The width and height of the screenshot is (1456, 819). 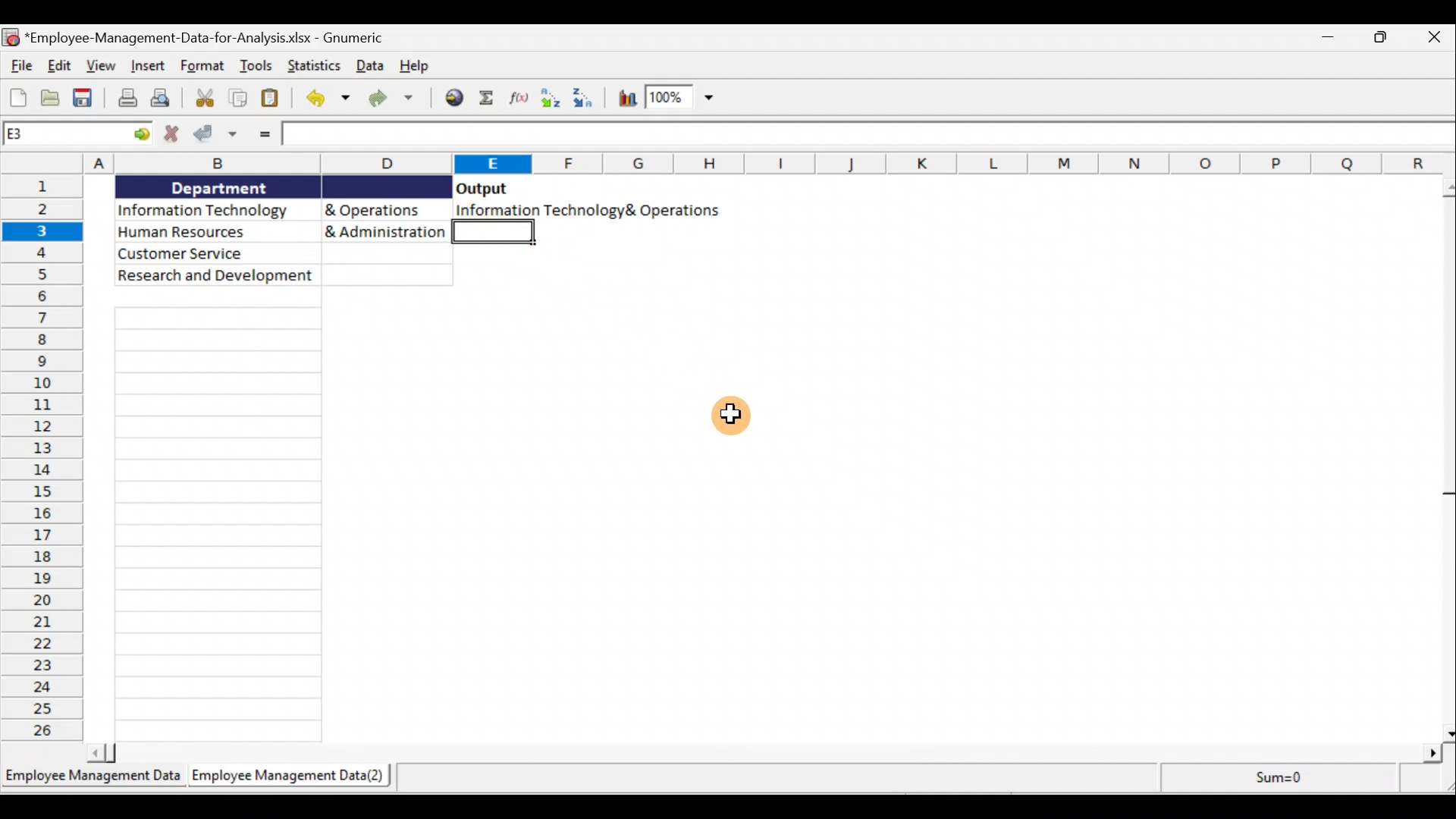 What do you see at coordinates (221, 526) in the screenshot?
I see `column` at bounding box center [221, 526].